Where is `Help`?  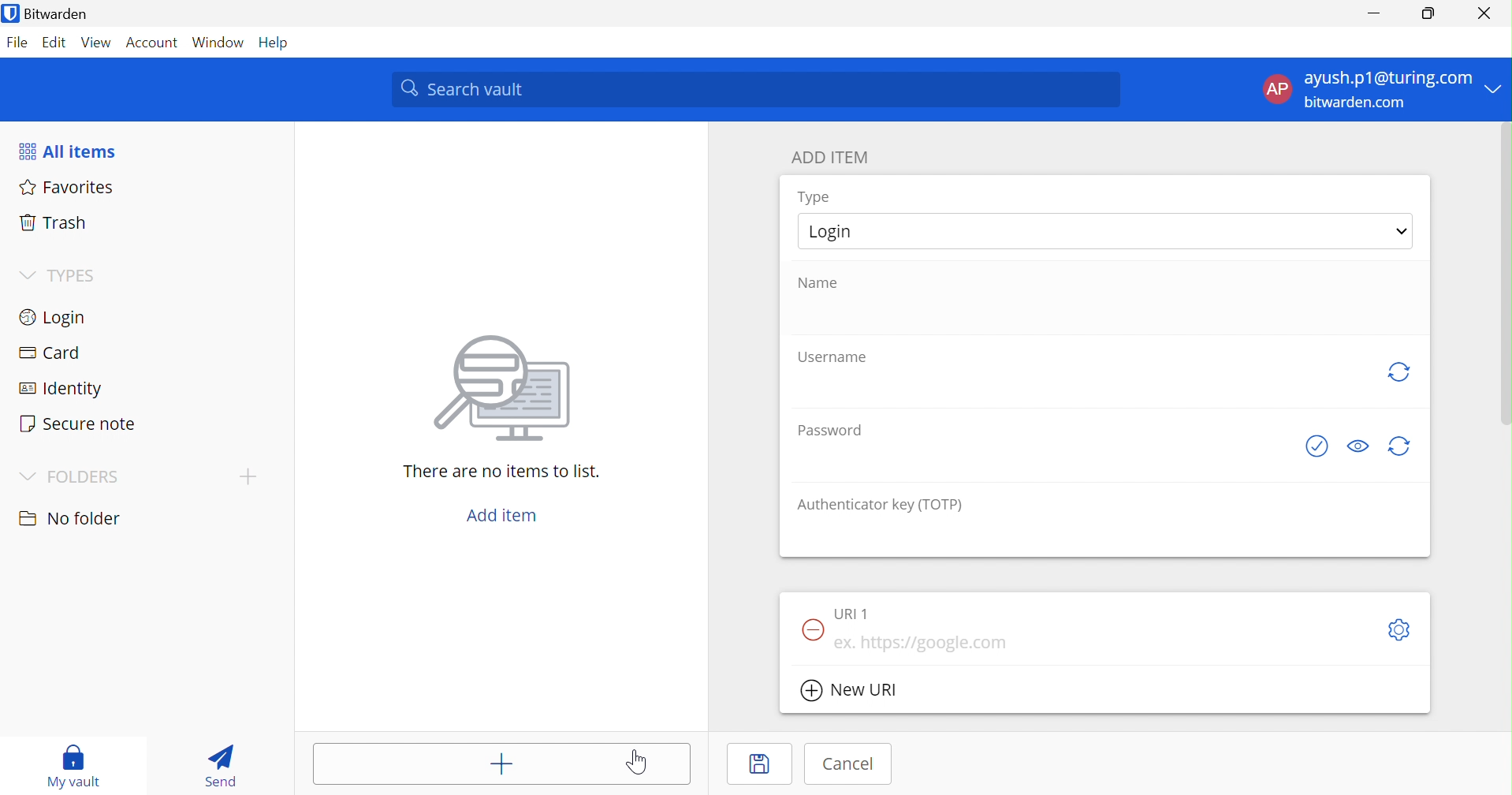
Help is located at coordinates (278, 43).